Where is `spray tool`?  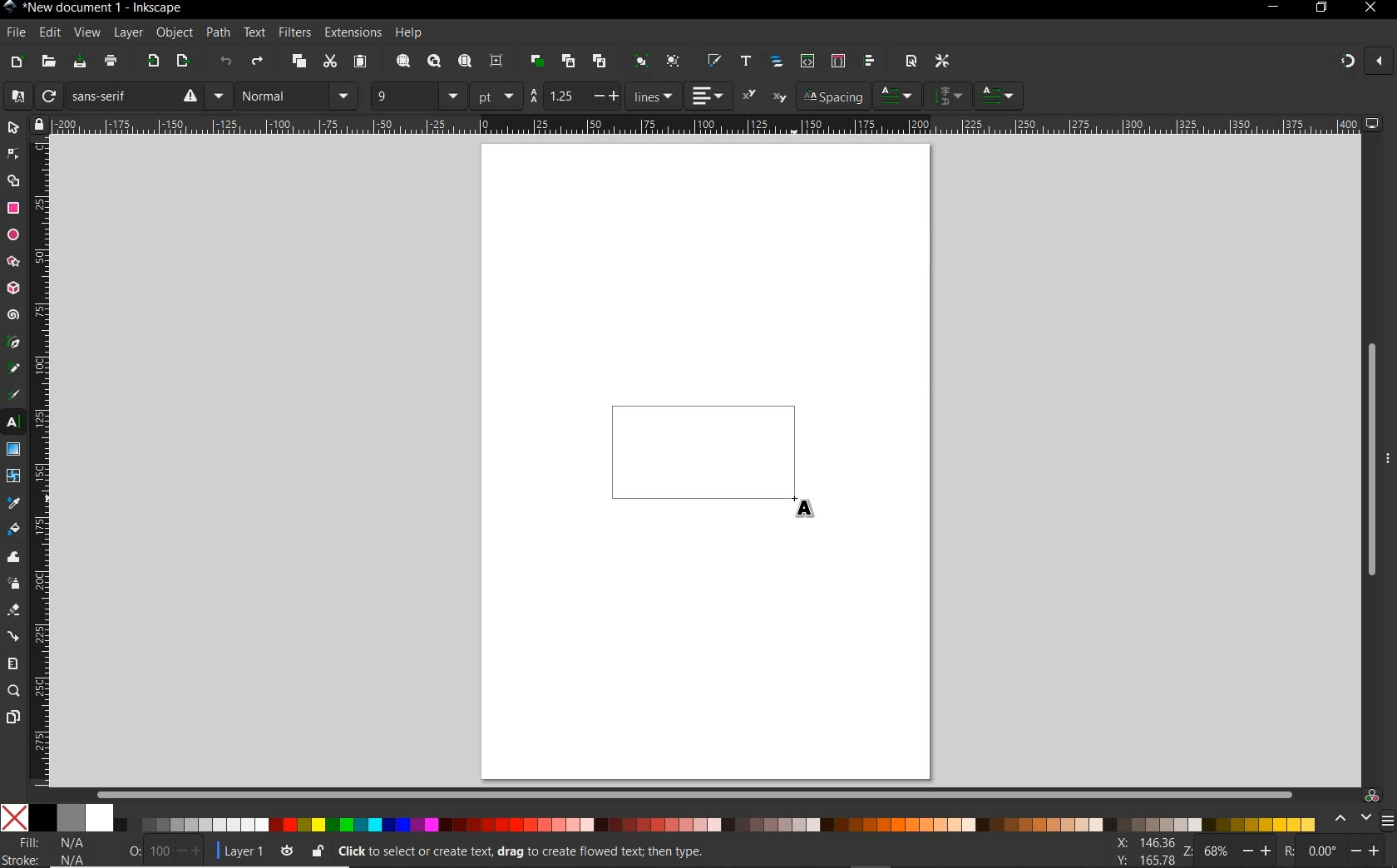
spray tool is located at coordinates (13, 584).